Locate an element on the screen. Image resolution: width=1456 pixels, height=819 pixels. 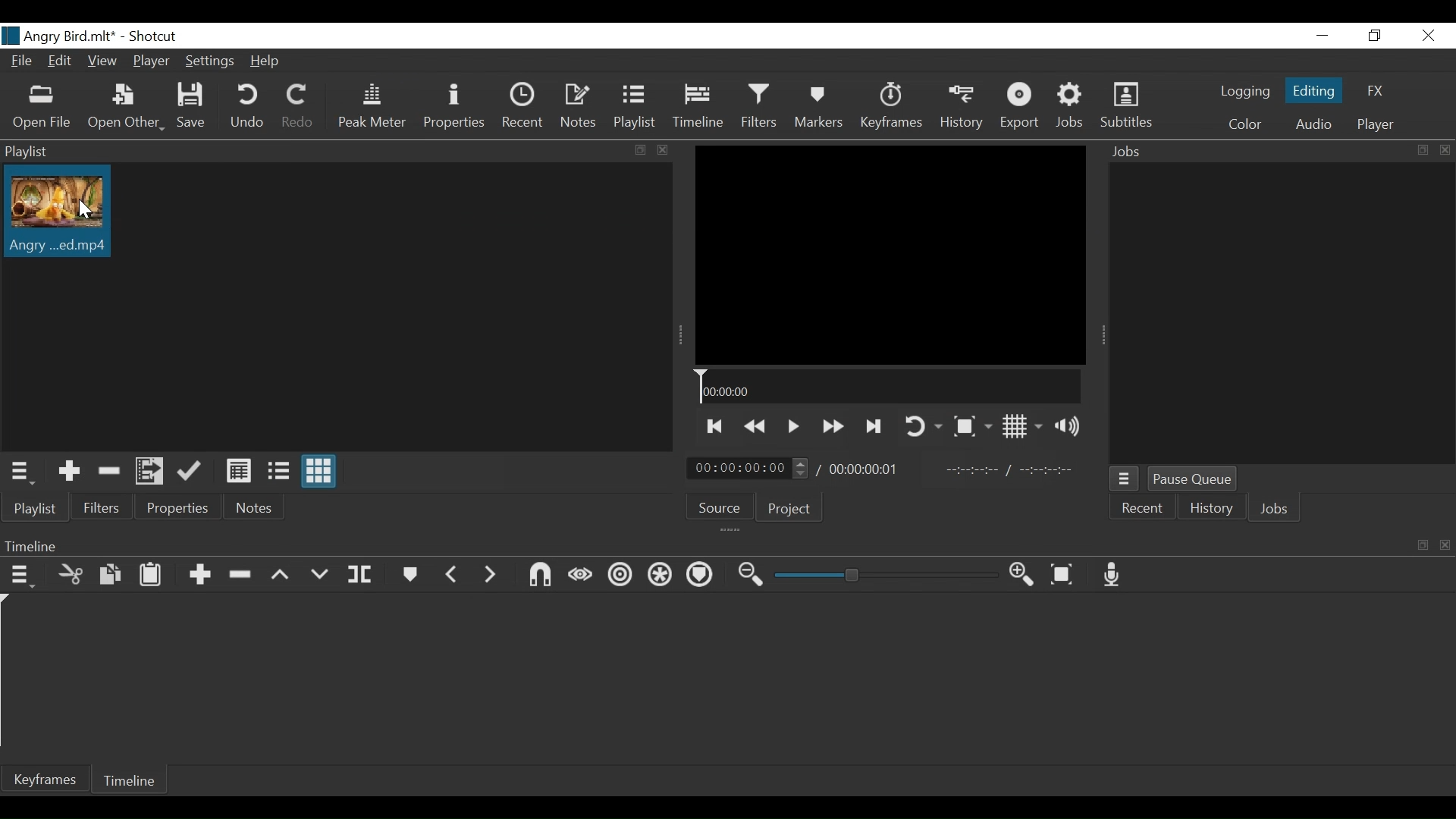
player is located at coordinates (1376, 124).